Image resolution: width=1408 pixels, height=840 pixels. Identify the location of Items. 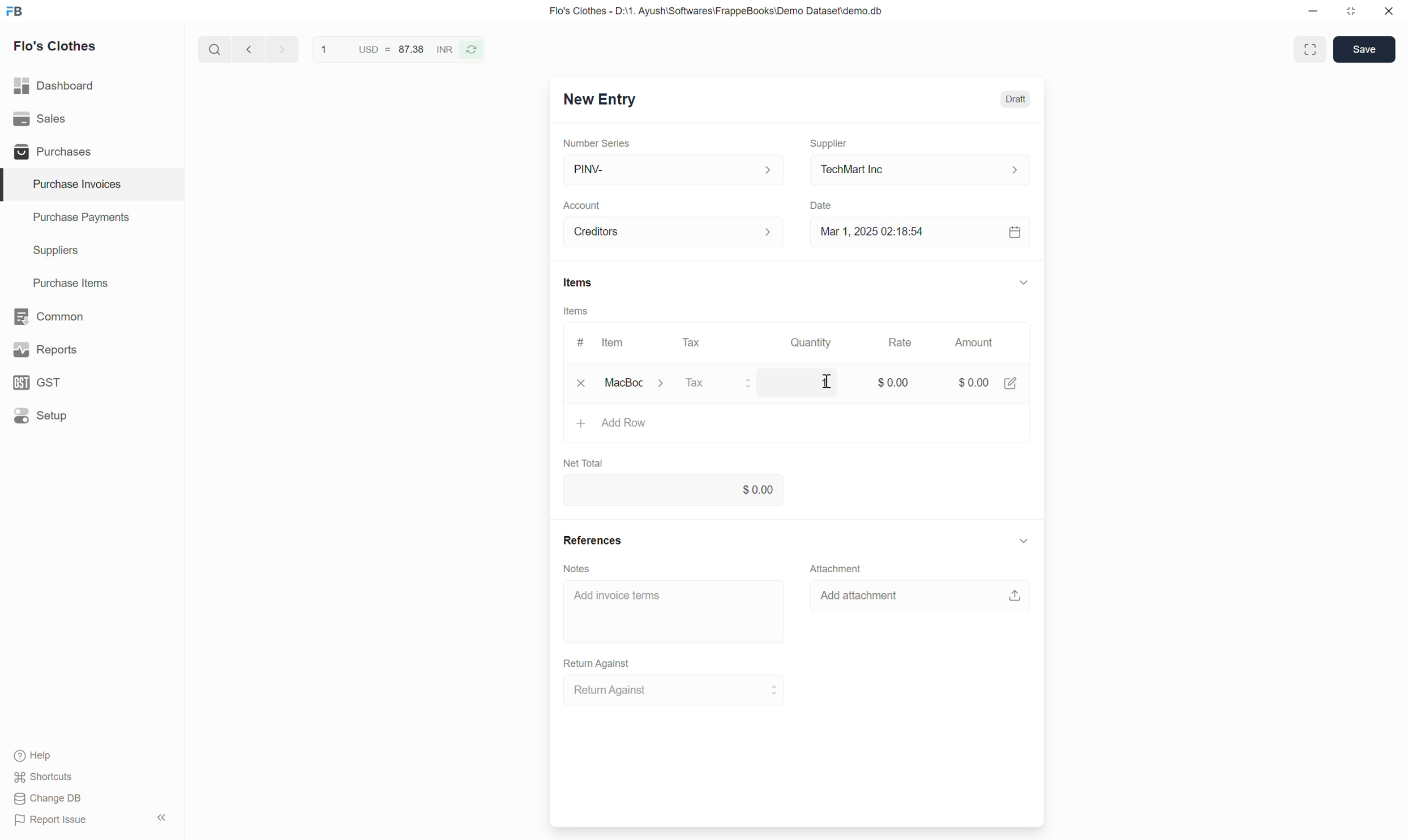
(576, 311).